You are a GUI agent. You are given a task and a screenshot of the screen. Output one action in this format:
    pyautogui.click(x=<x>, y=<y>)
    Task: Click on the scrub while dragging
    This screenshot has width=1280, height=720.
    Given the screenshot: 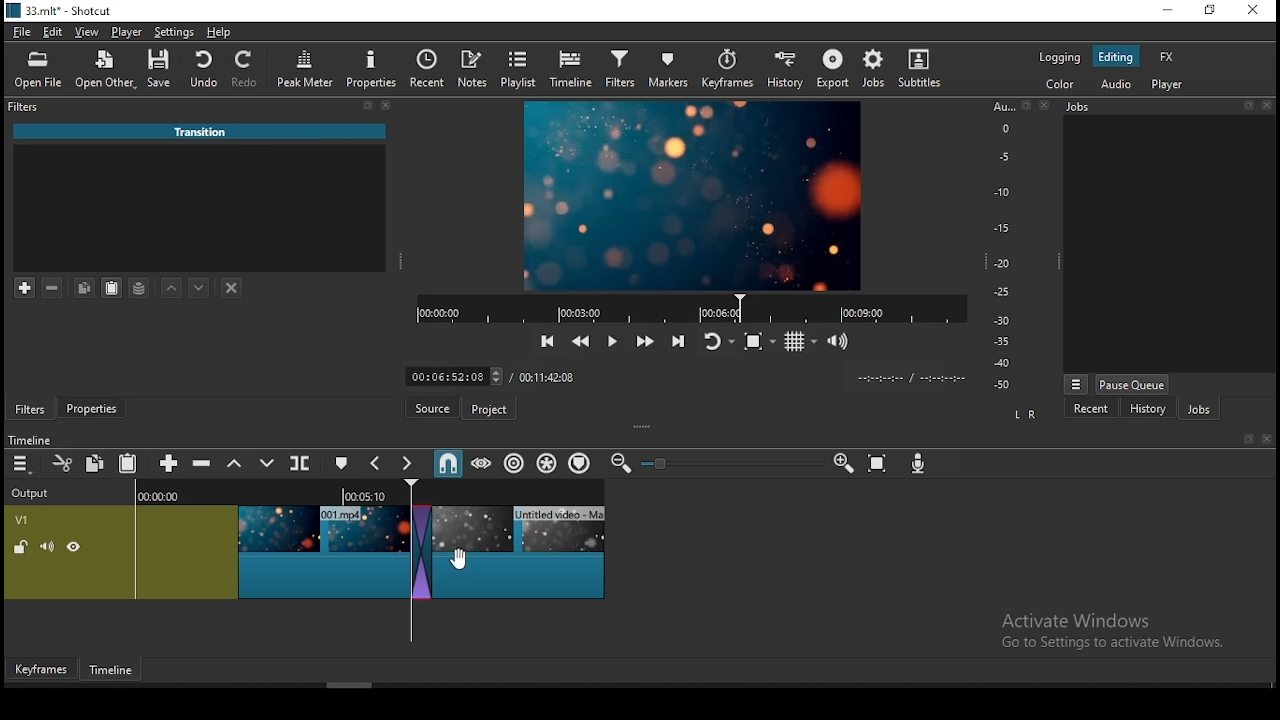 What is the action you would take?
    pyautogui.click(x=483, y=464)
    